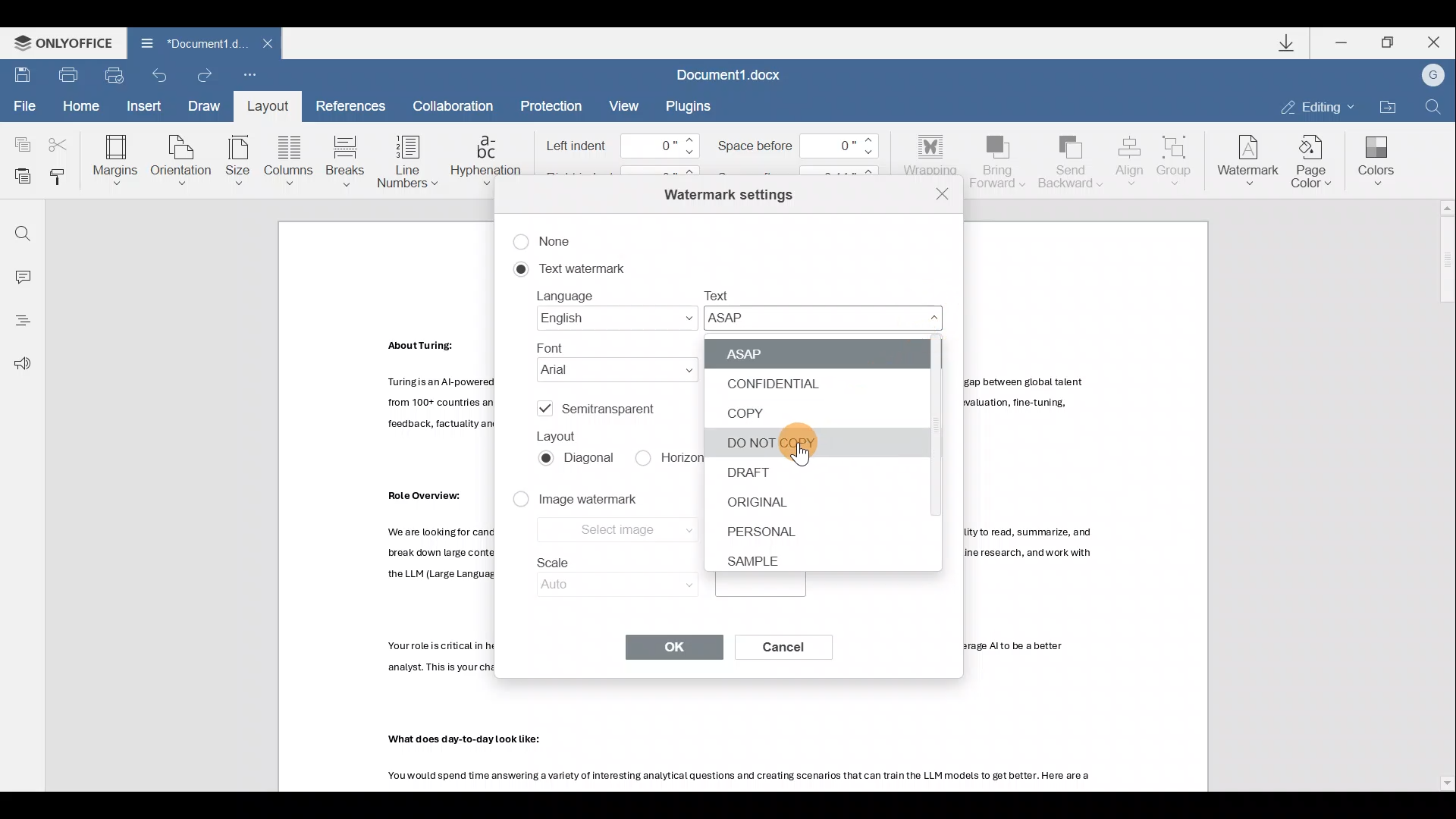 The height and width of the screenshot is (819, 1456). Describe the element at coordinates (830, 311) in the screenshot. I see `Text` at that location.